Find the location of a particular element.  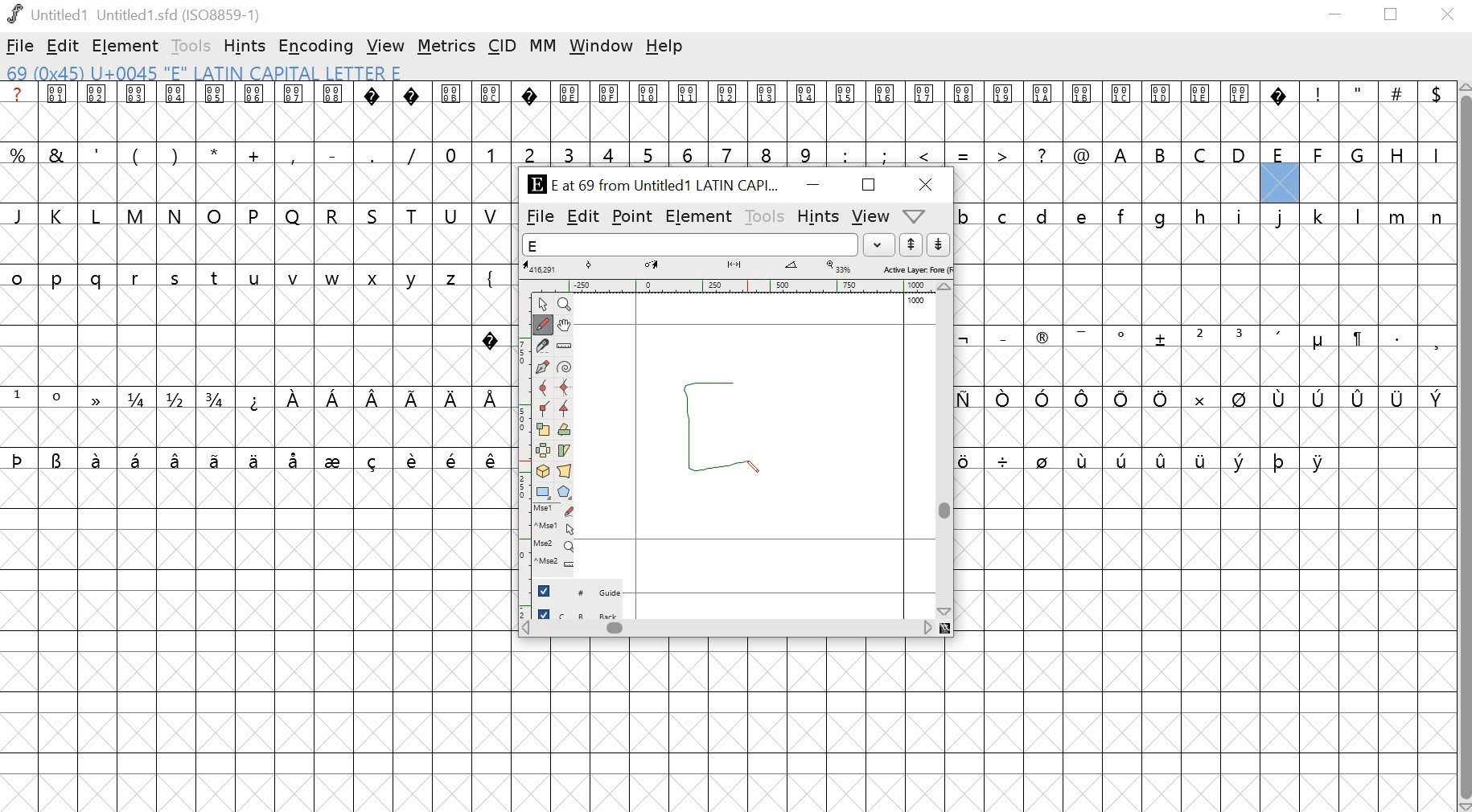

empty cells is located at coordinates (254, 641).